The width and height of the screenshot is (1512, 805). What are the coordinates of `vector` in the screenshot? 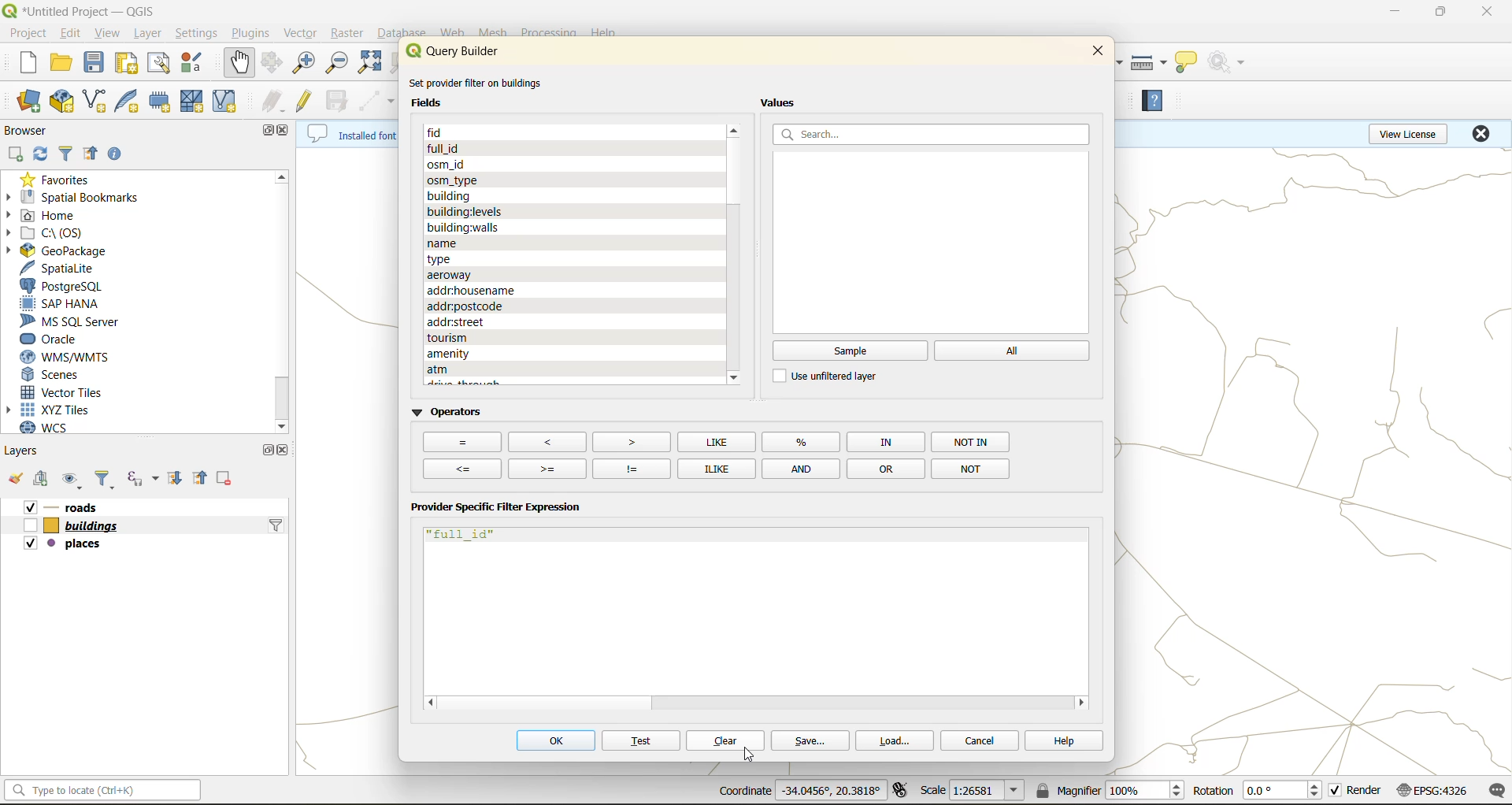 It's located at (298, 33).